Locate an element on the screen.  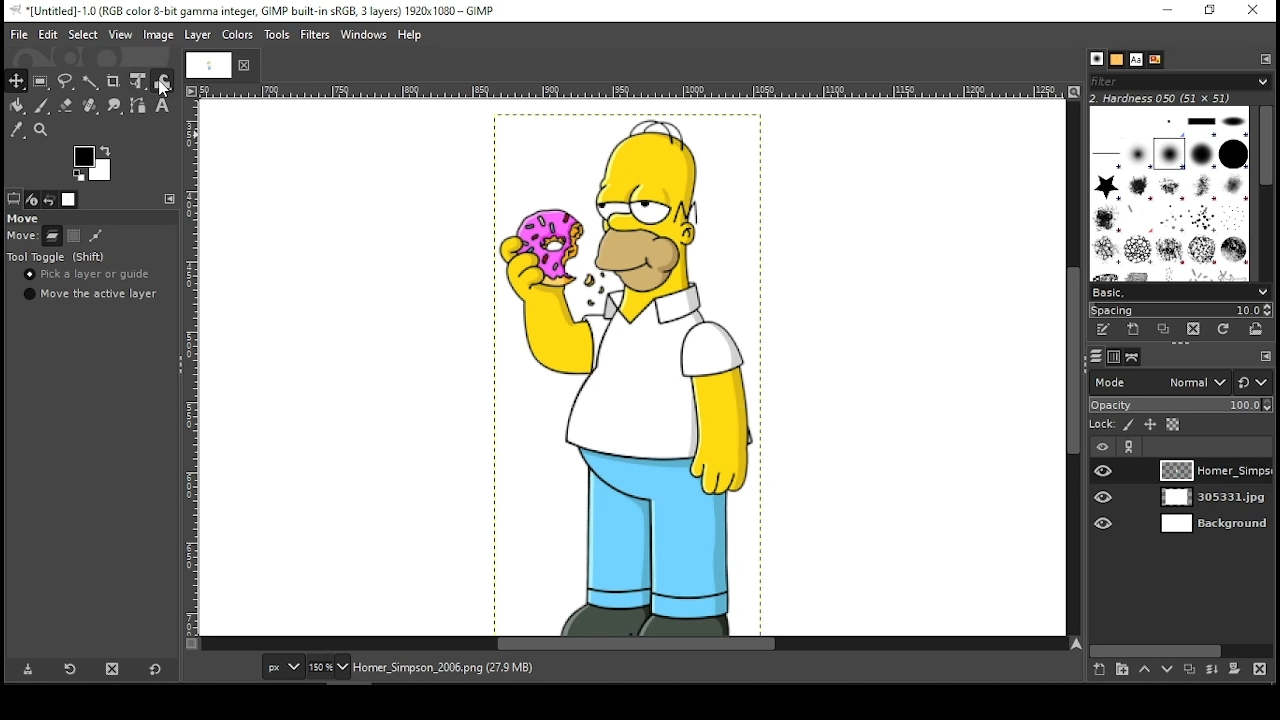
pick a layer or guide is located at coordinates (86, 274).